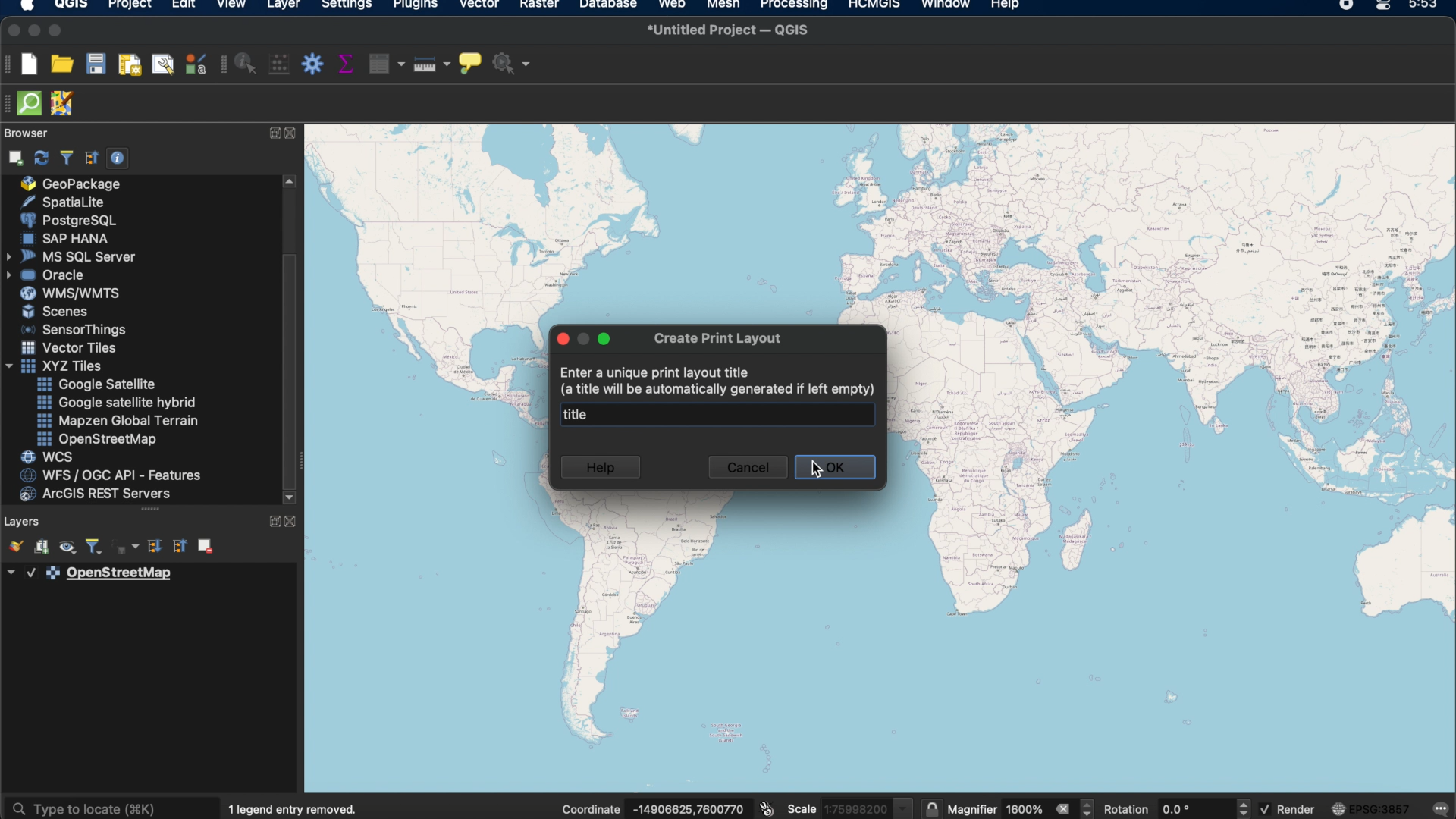  I want to click on mapzen global terrain, so click(119, 421).